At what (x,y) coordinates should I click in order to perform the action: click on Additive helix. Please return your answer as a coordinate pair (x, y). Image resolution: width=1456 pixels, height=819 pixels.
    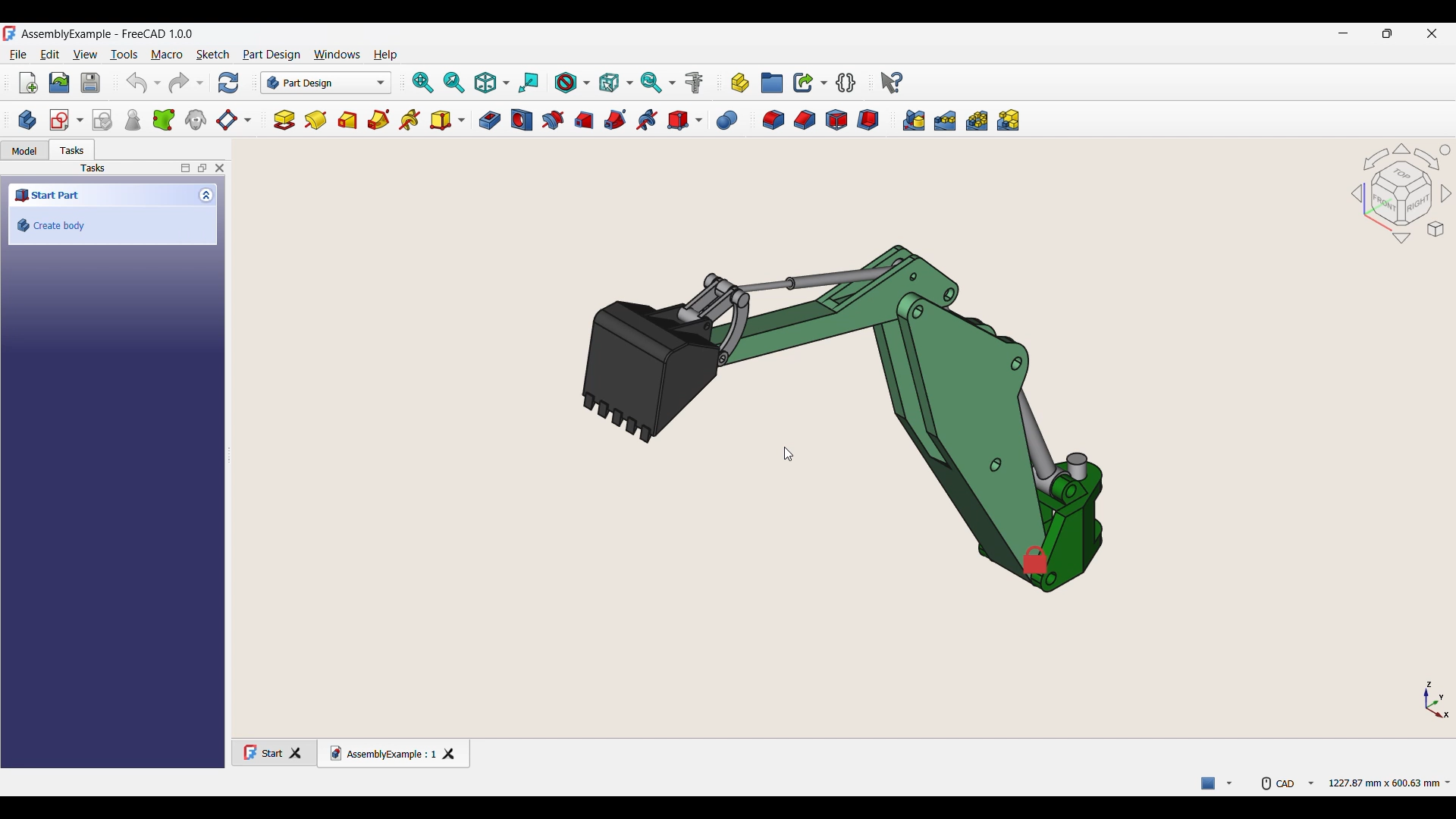
    Looking at the image, I should click on (410, 121).